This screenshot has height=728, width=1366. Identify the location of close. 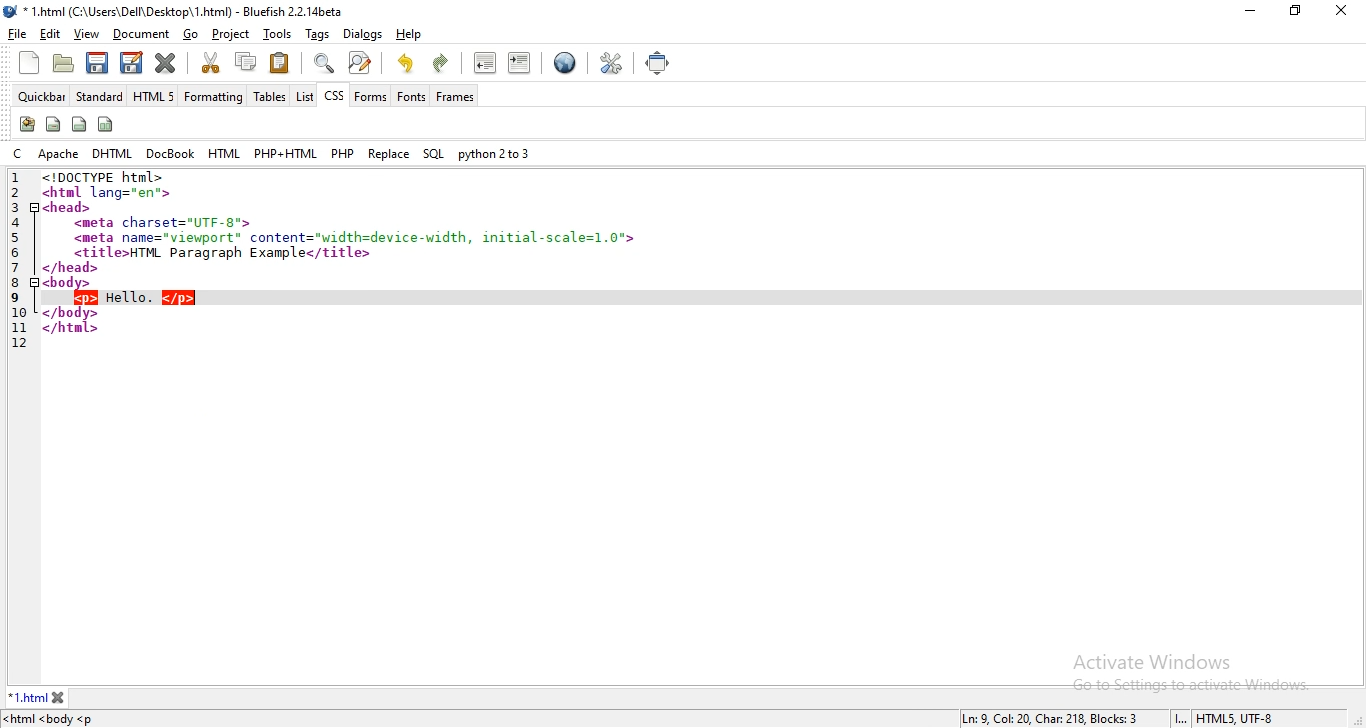
(59, 697).